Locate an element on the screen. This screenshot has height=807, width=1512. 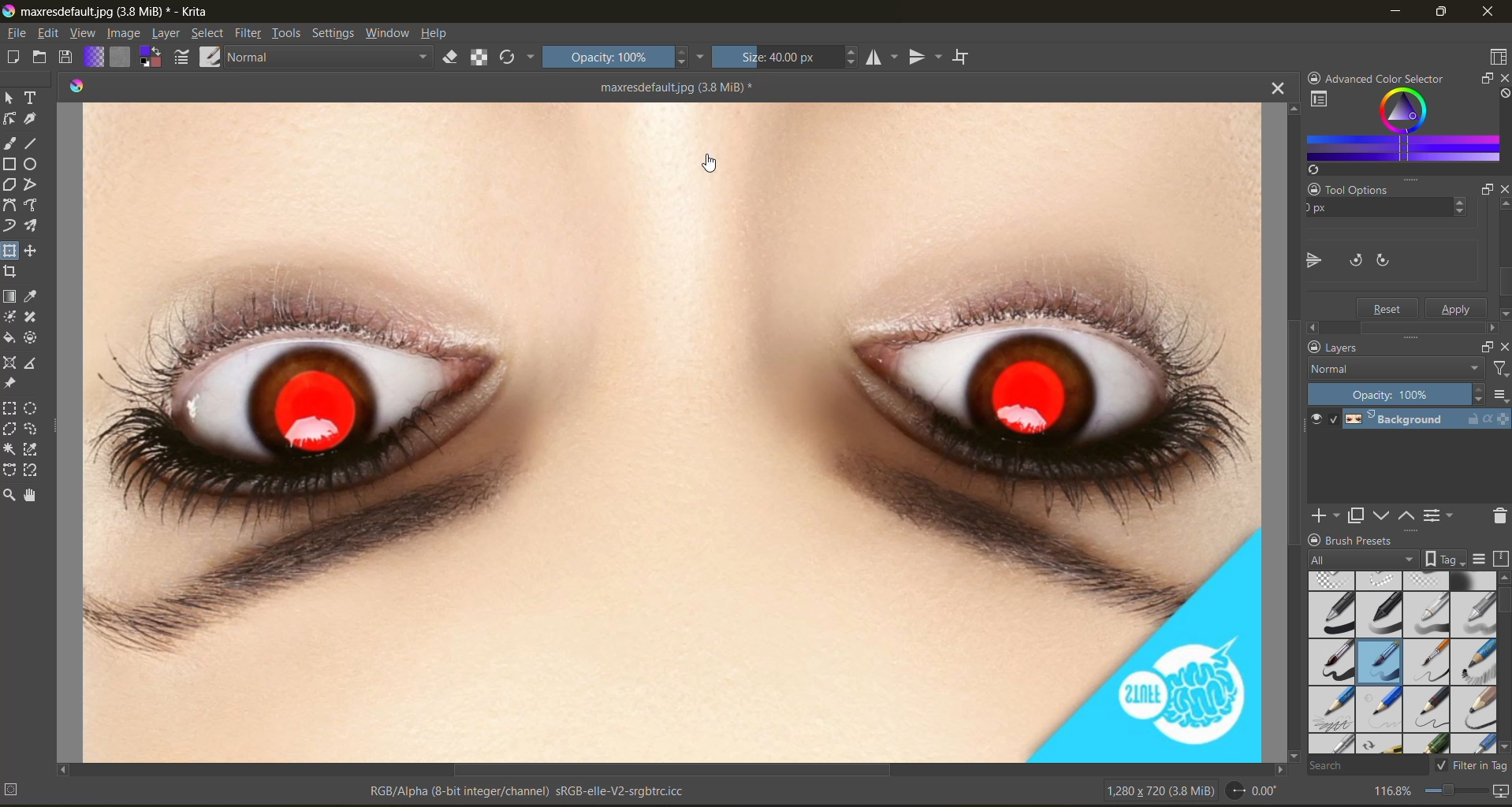
zoom is located at coordinates (1458, 794).